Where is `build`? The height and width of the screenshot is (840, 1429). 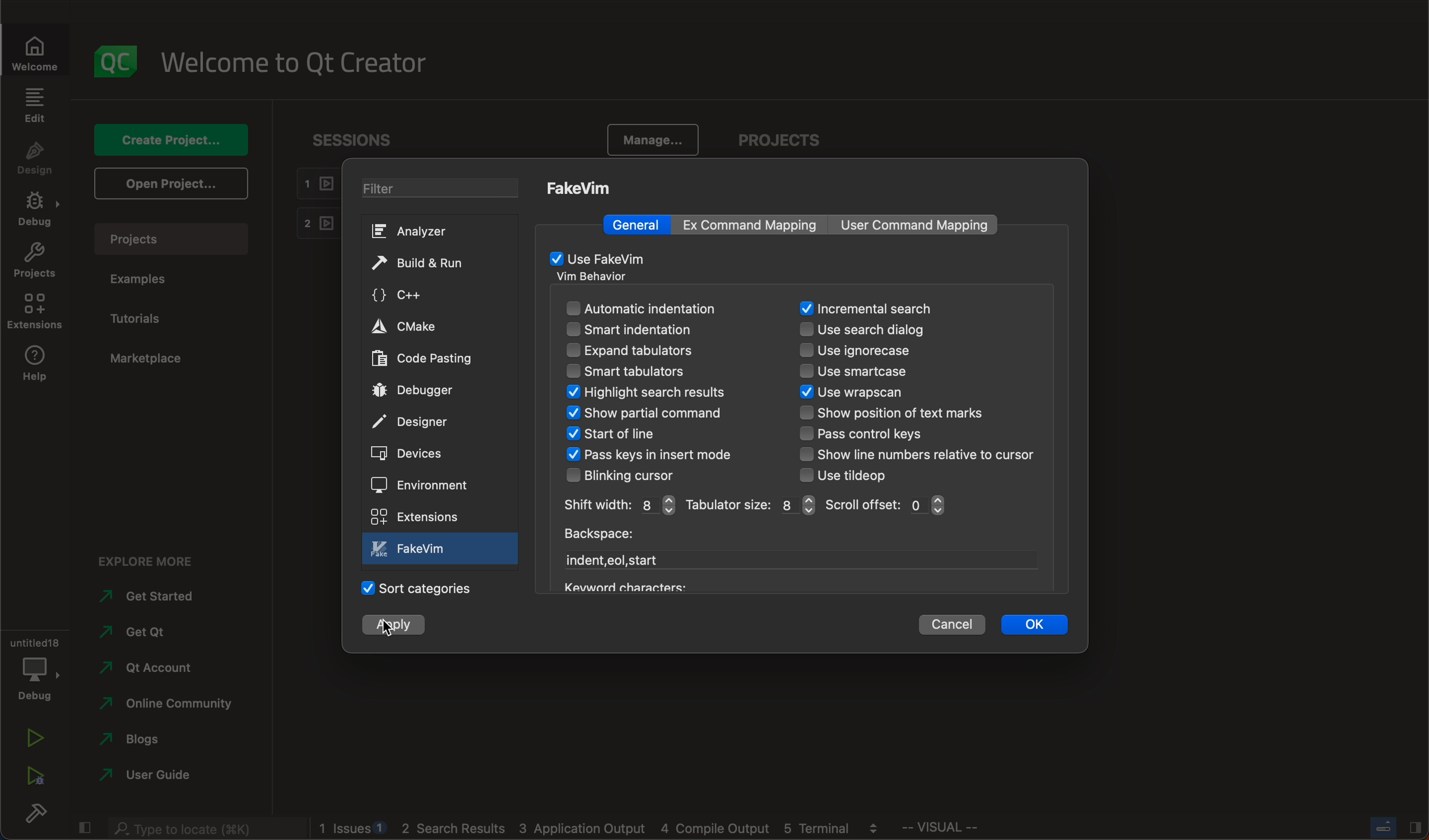
build is located at coordinates (35, 815).